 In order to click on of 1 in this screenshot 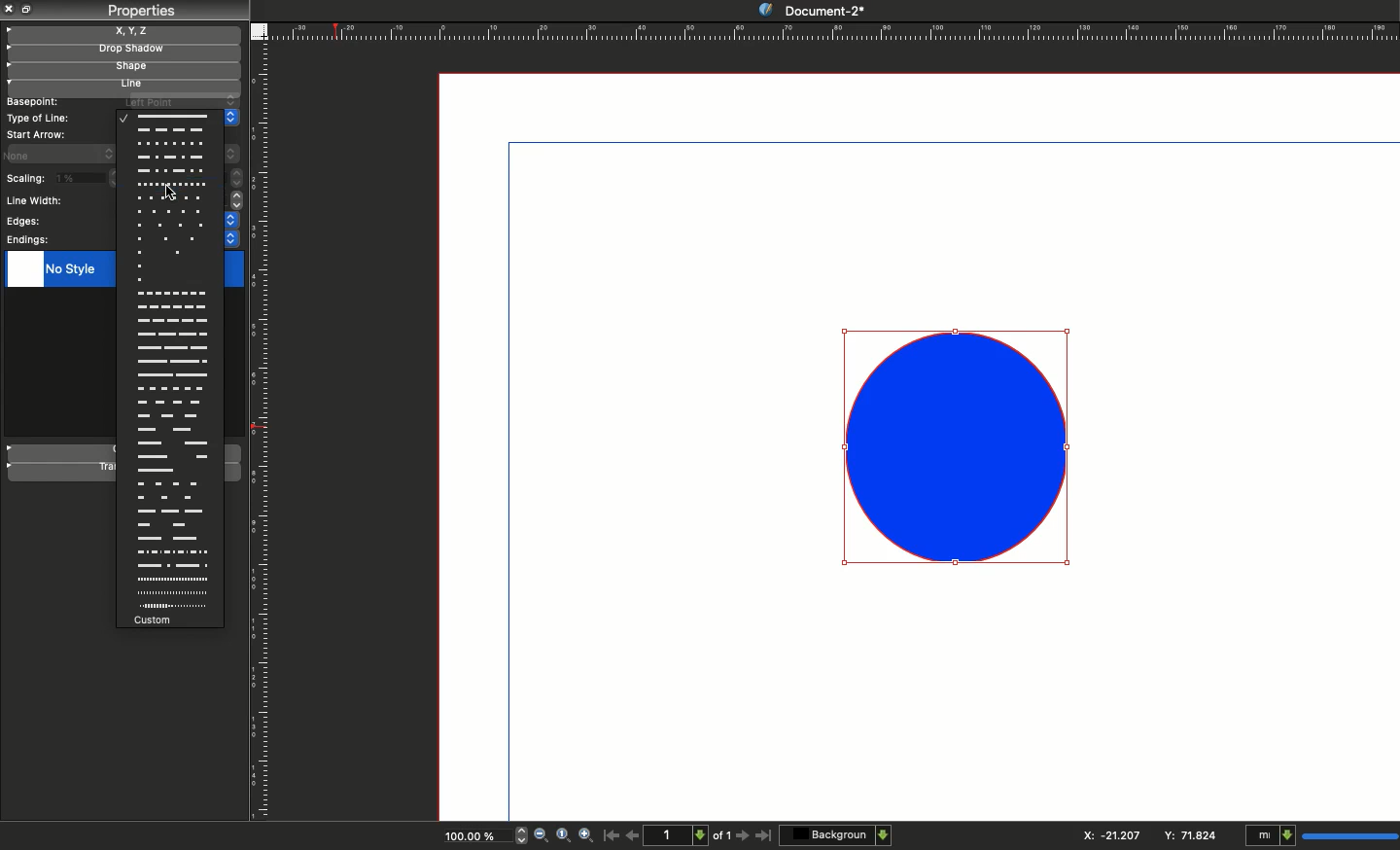, I will do `click(722, 838)`.